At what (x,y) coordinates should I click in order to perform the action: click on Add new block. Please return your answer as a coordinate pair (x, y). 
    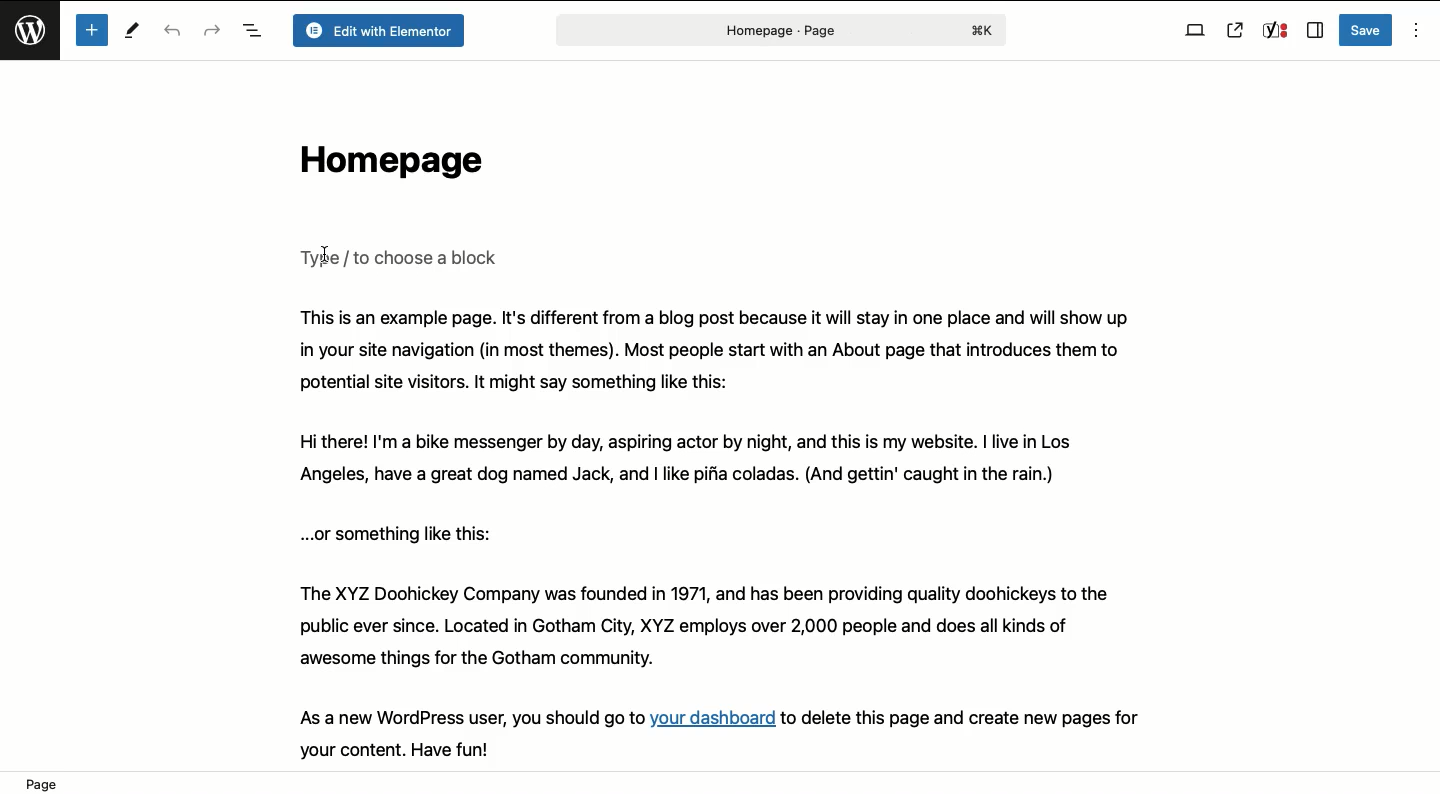
    Looking at the image, I should click on (91, 30).